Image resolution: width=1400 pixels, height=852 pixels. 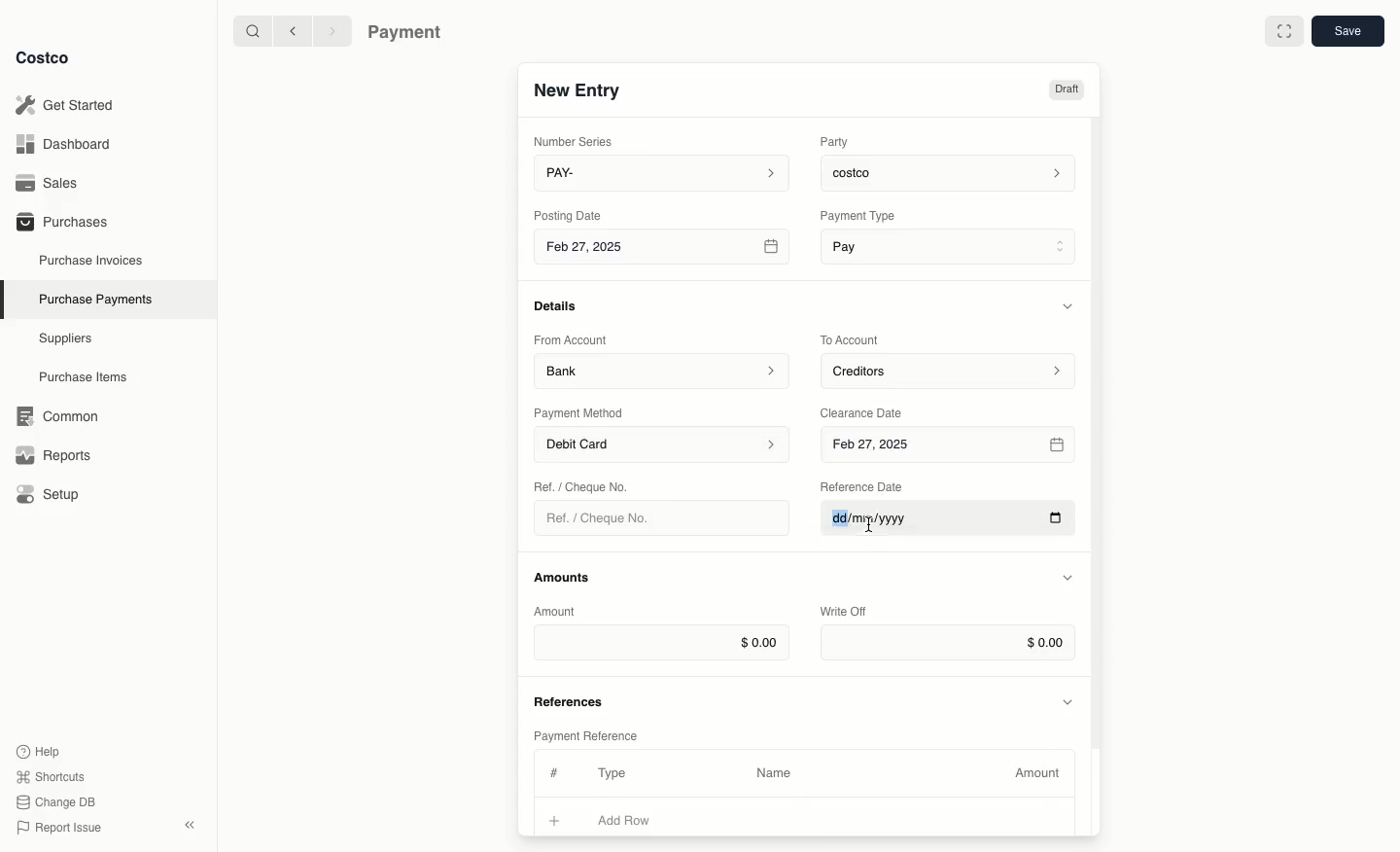 What do you see at coordinates (948, 643) in the screenshot?
I see `$0.00` at bounding box center [948, 643].